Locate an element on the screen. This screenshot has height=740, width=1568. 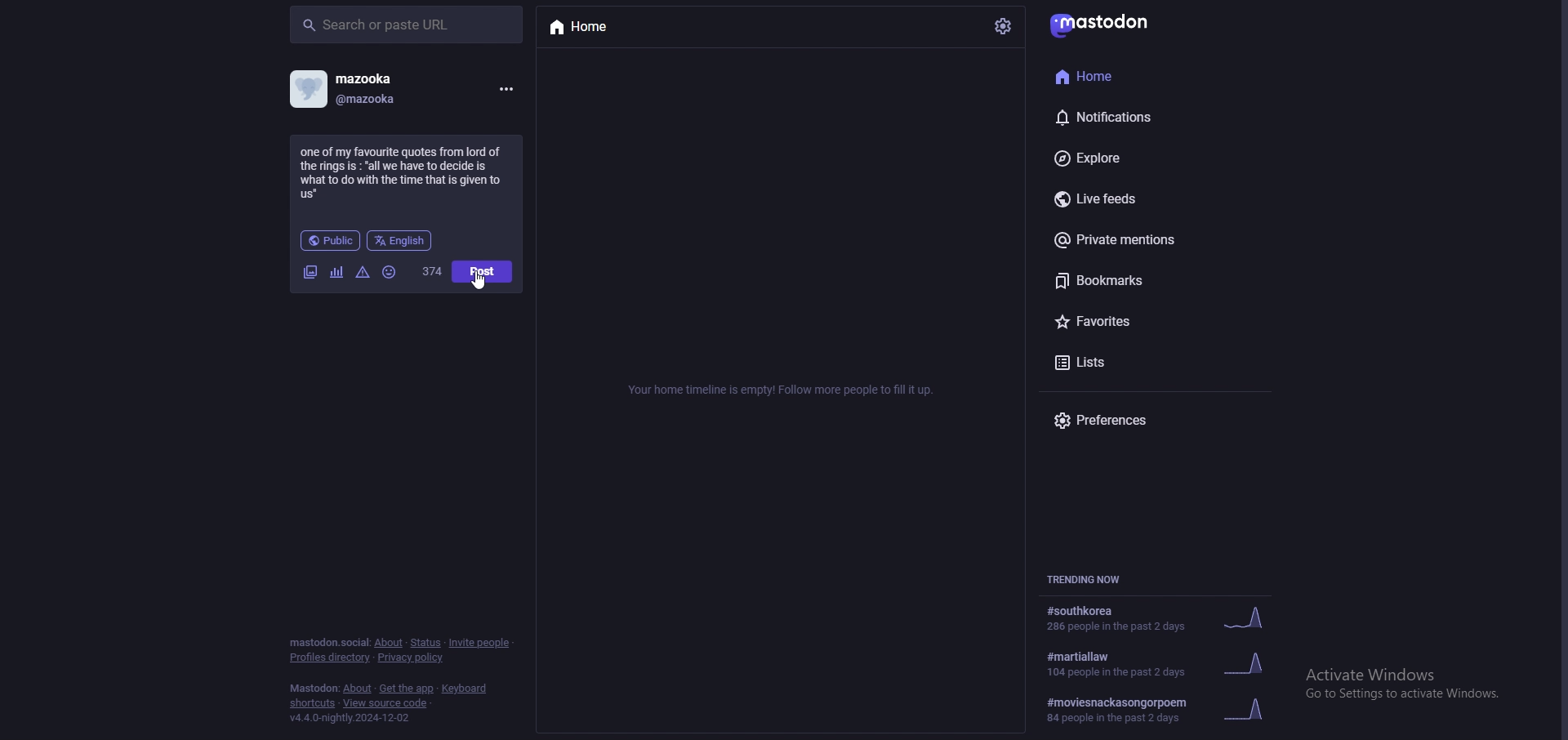
audience is located at coordinates (330, 240).